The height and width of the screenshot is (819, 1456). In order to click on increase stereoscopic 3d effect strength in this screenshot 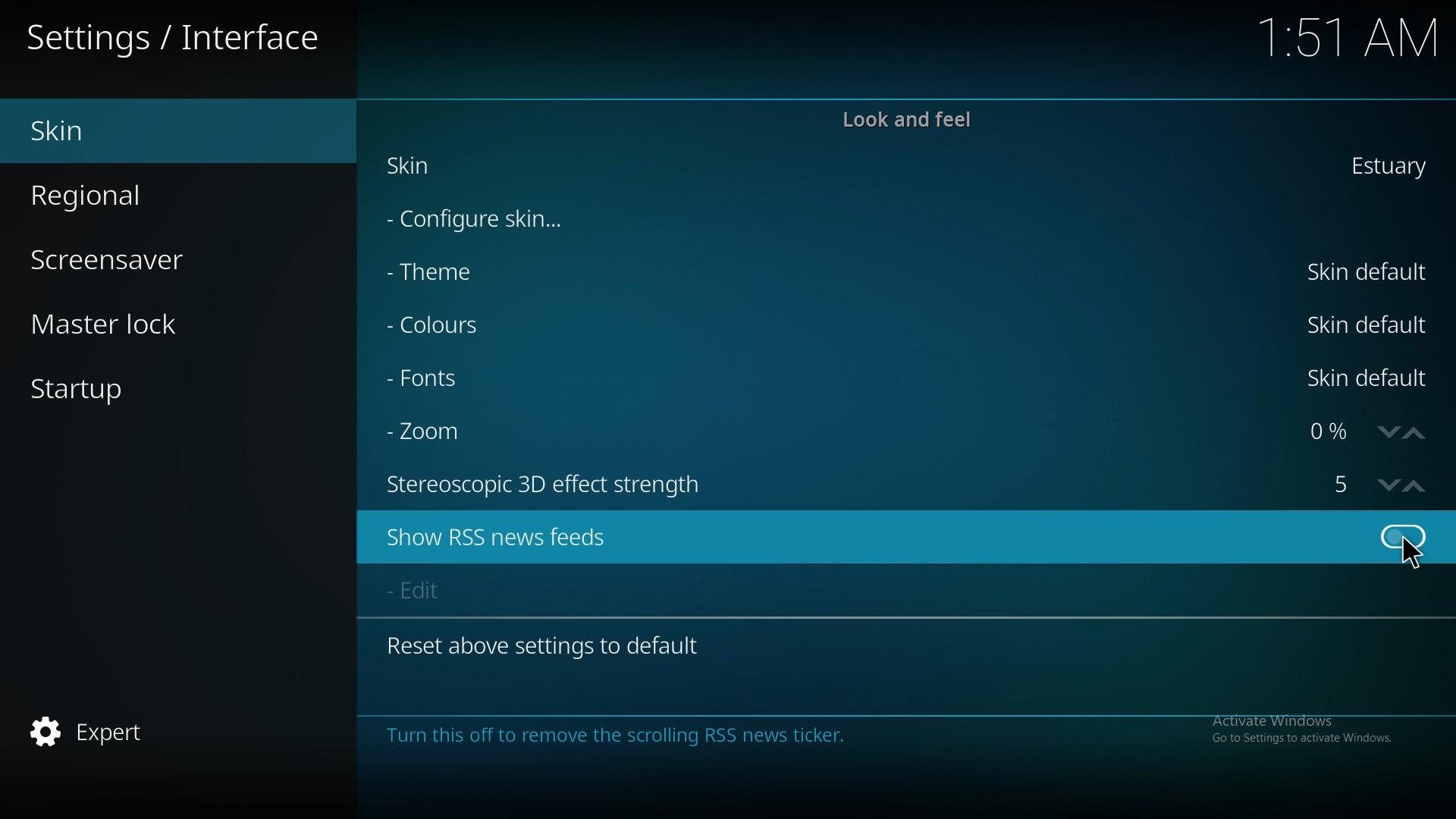, I will do `click(1416, 485)`.